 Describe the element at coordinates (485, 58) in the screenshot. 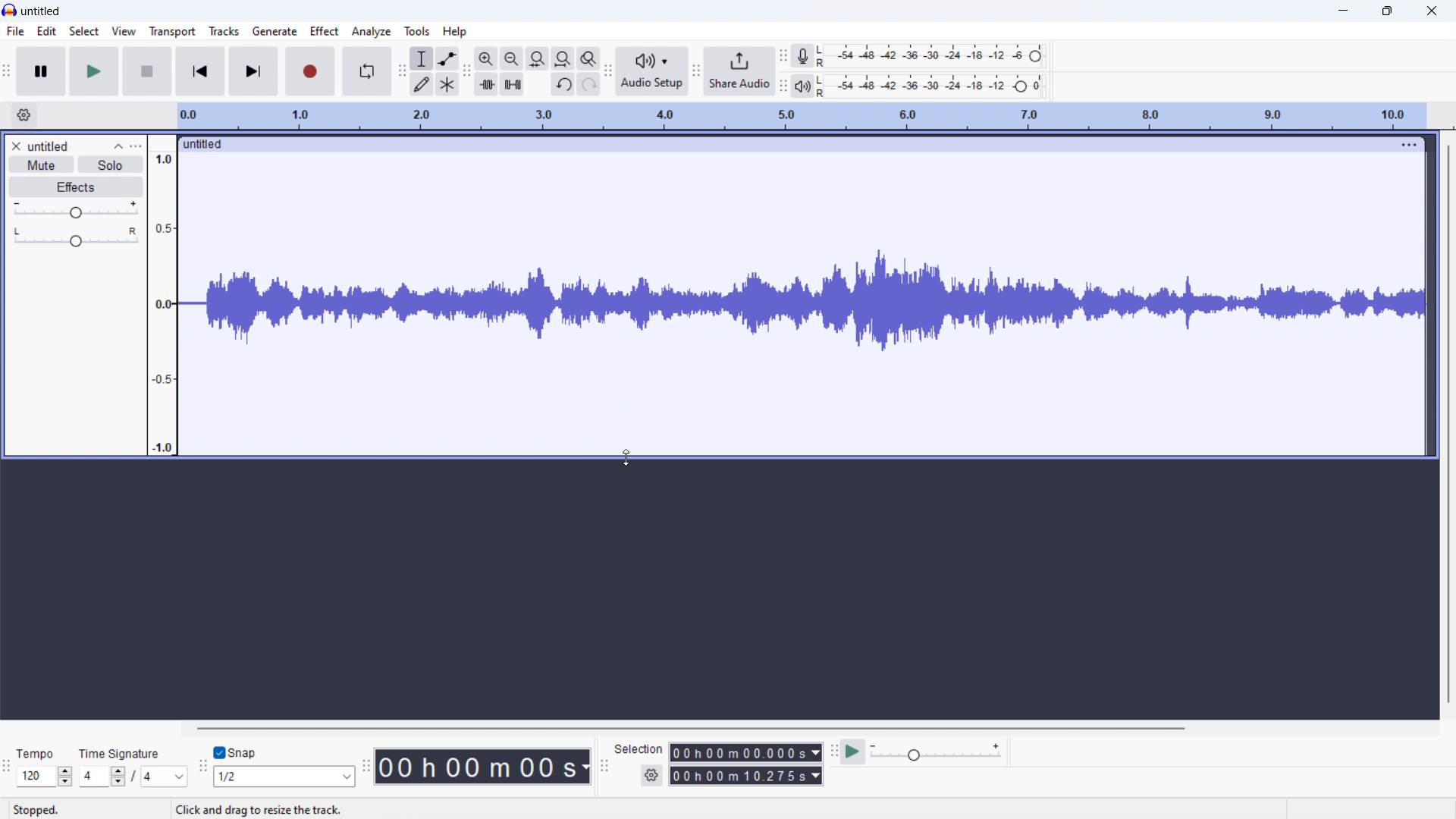

I see `zoom in` at that location.